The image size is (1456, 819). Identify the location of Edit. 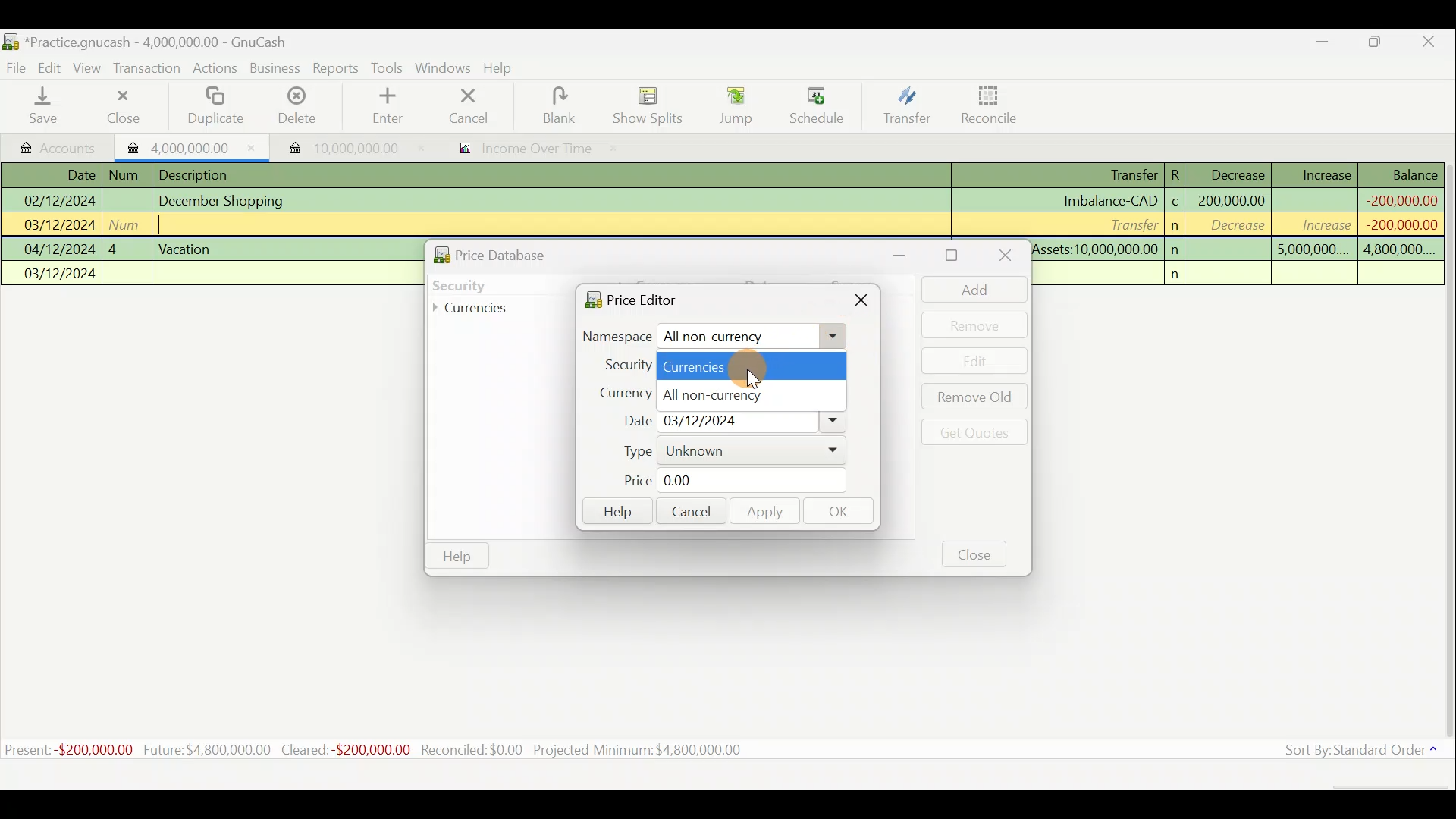
(976, 361).